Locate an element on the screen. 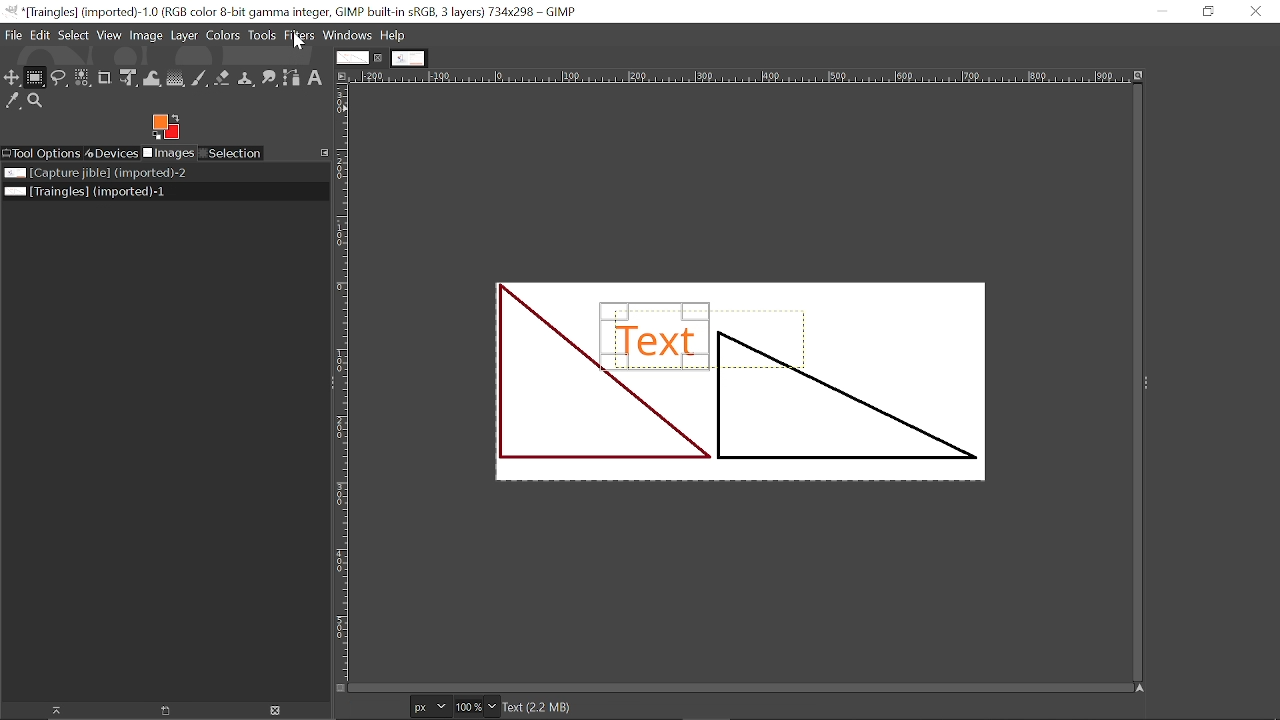 The image size is (1280, 720). Image is located at coordinates (146, 36).